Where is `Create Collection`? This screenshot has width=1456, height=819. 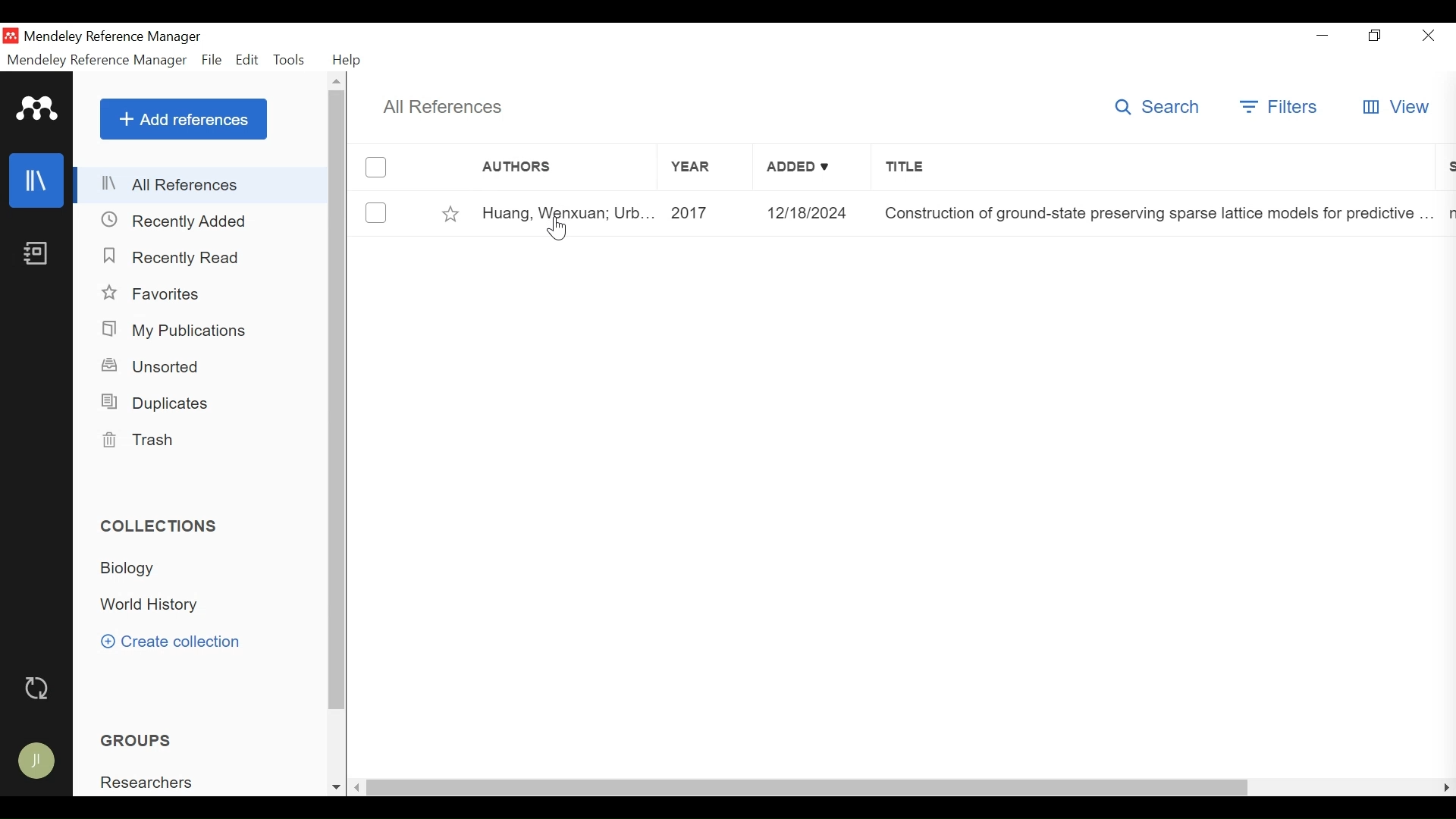 Create Collection is located at coordinates (170, 644).